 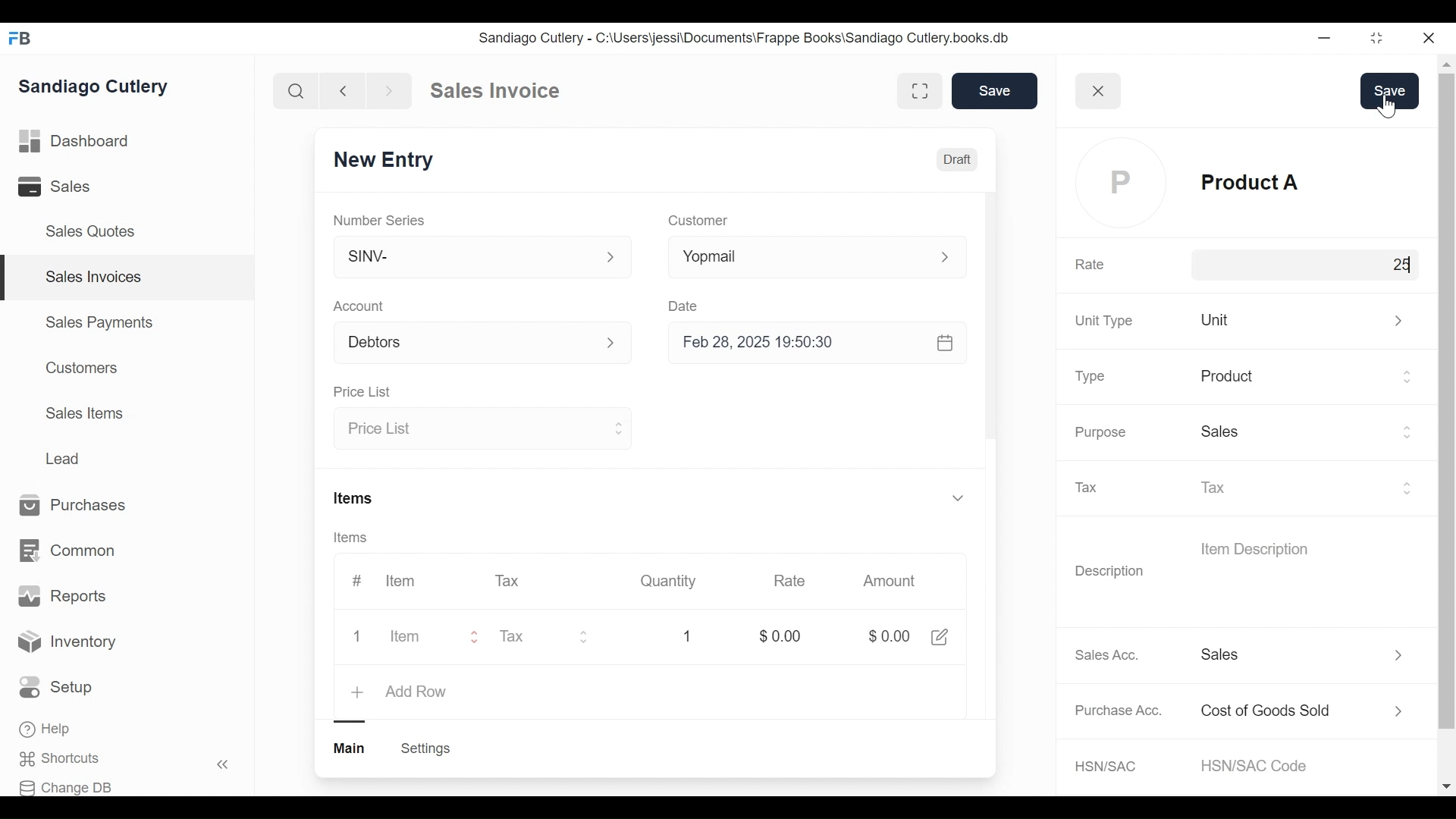 What do you see at coordinates (80, 506) in the screenshot?
I see `Purchases` at bounding box center [80, 506].